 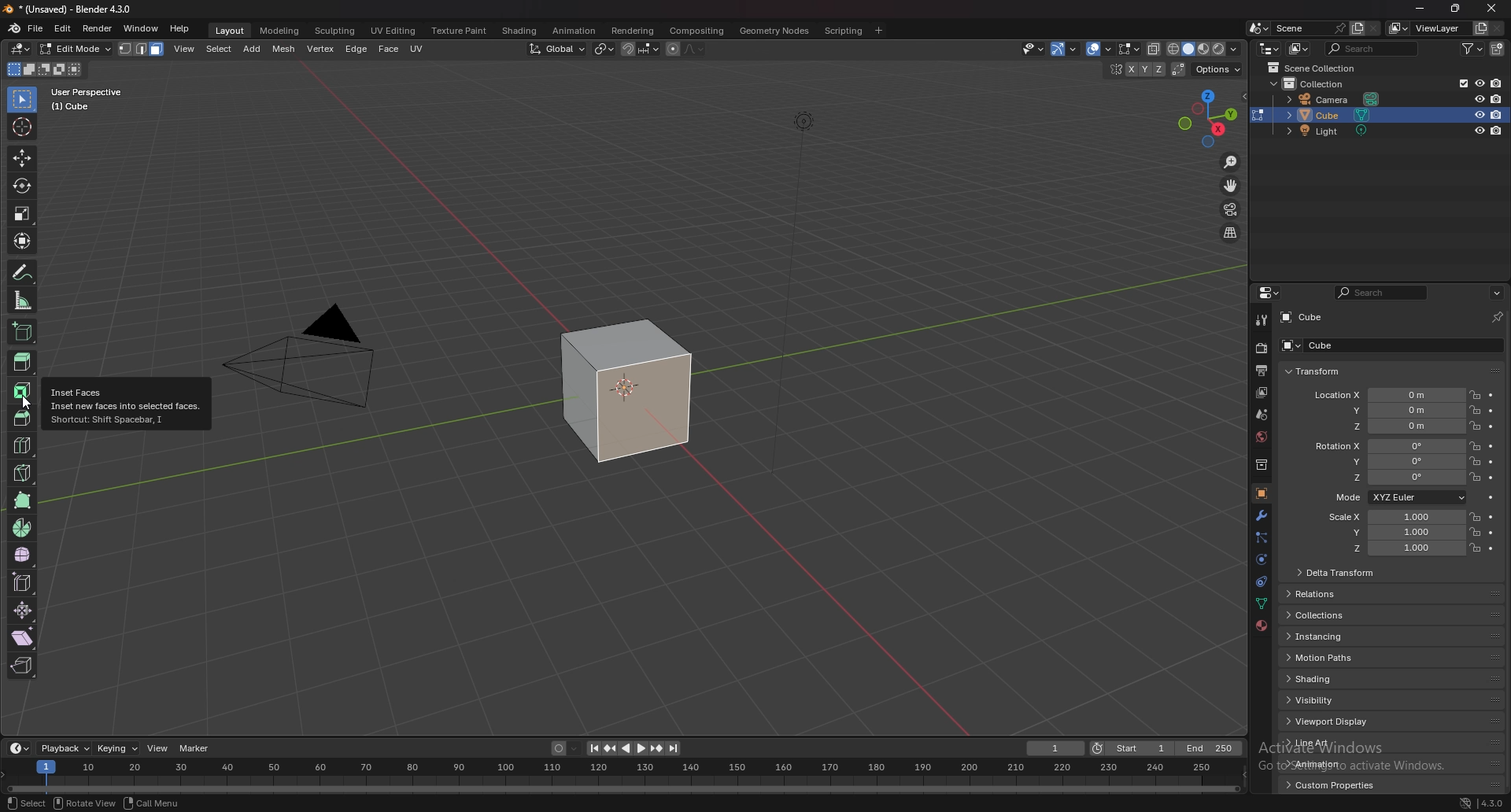 What do you see at coordinates (560, 50) in the screenshot?
I see `transformation orientation` at bounding box center [560, 50].